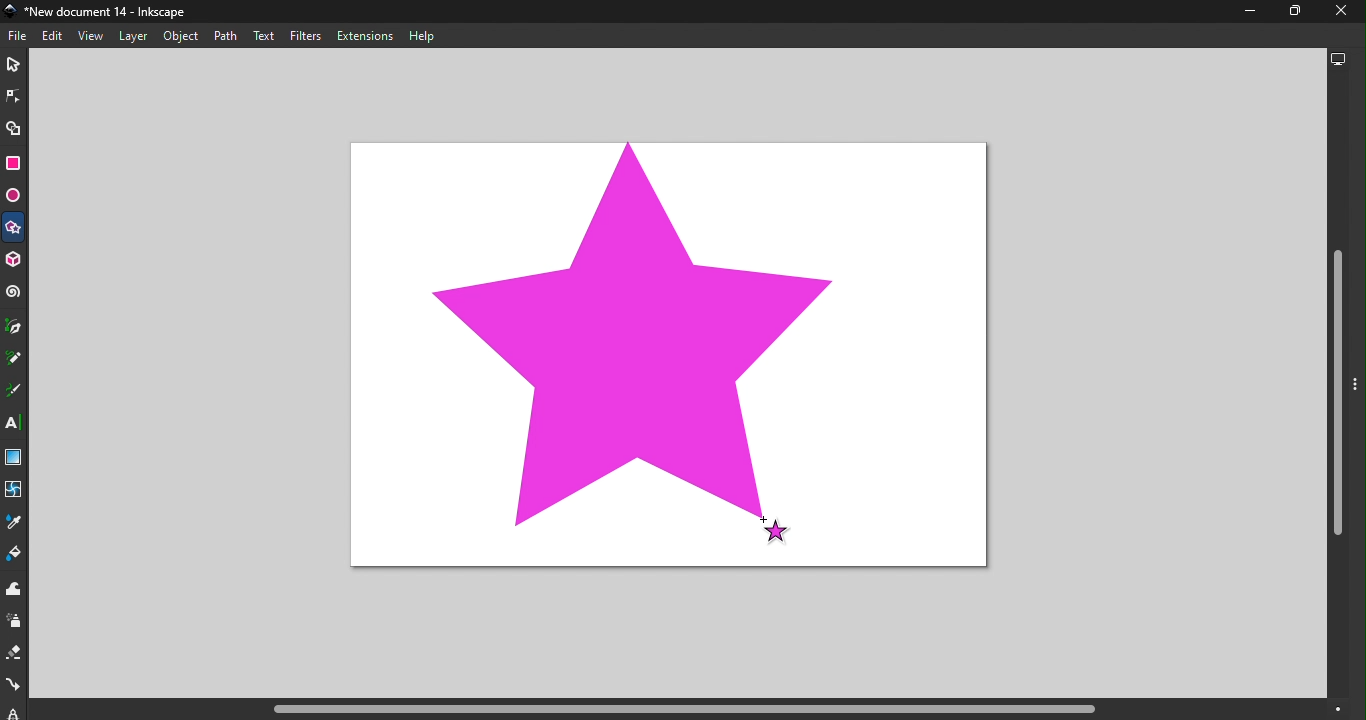 Image resolution: width=1366 pixels, height=720 pixels. What do you see at coordinates (227, 35) in the screenshot?
I see `Path` at bounding box center [227, 35].